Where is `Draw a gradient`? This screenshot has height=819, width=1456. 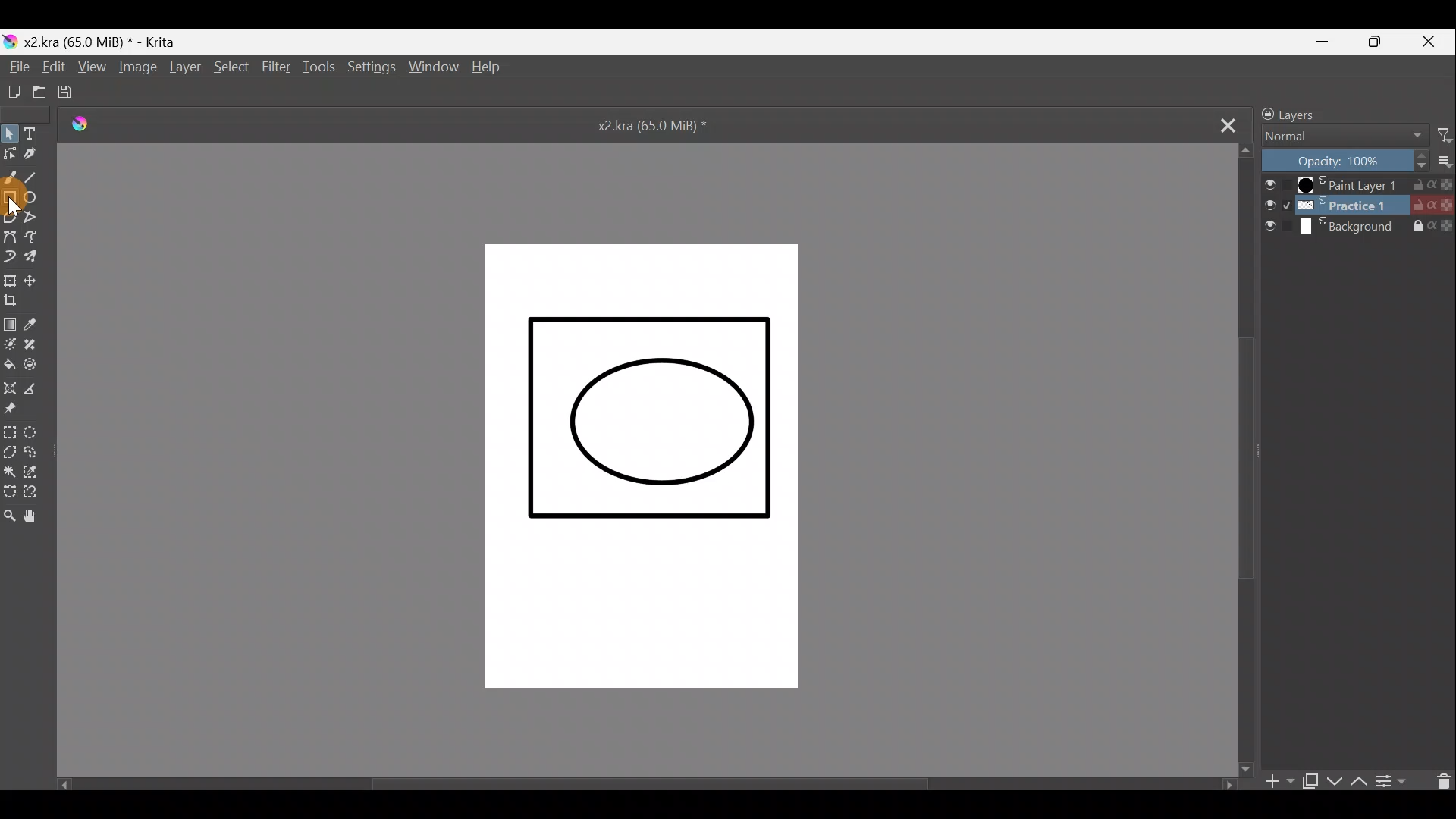
Draw a gradient is located at coordinates (10, 322).